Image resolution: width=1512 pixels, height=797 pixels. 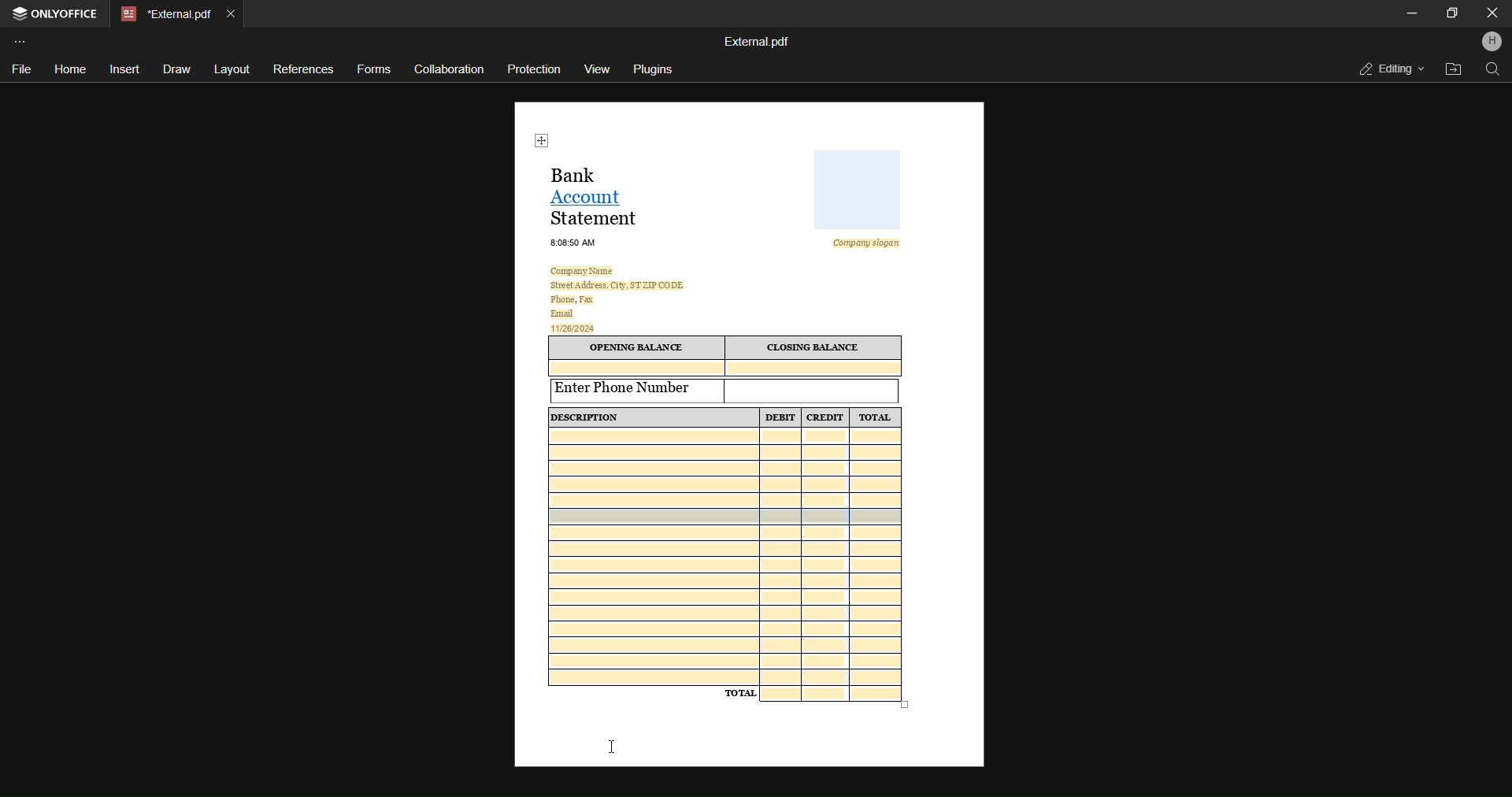 What do you see at coordinates (597, 218) in the screenshot?
I see `Statement` at bounding box center [597, 218].